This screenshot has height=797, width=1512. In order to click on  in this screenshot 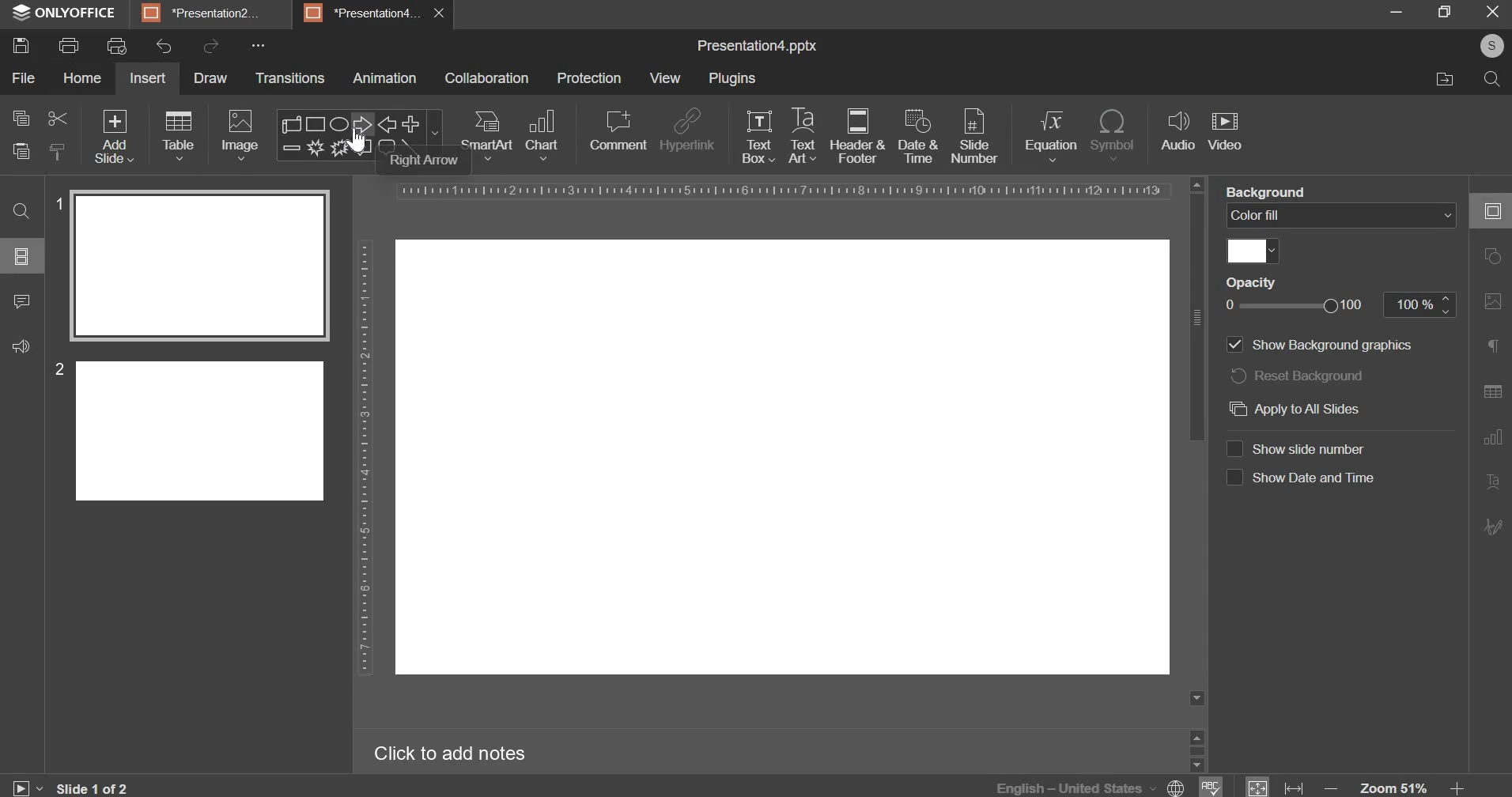, I will do `click(1236, 282)`.